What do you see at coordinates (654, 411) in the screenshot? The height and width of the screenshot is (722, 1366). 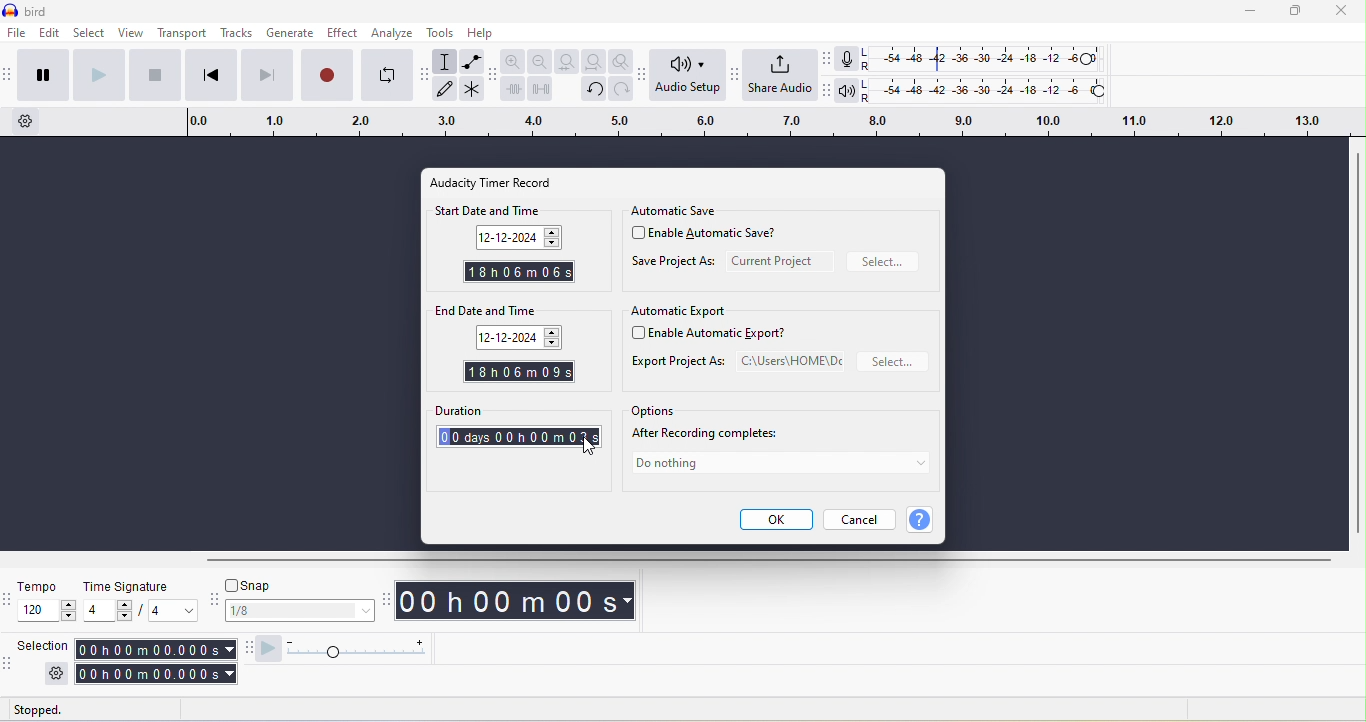 I see `options` at bounding box center [654, 411].